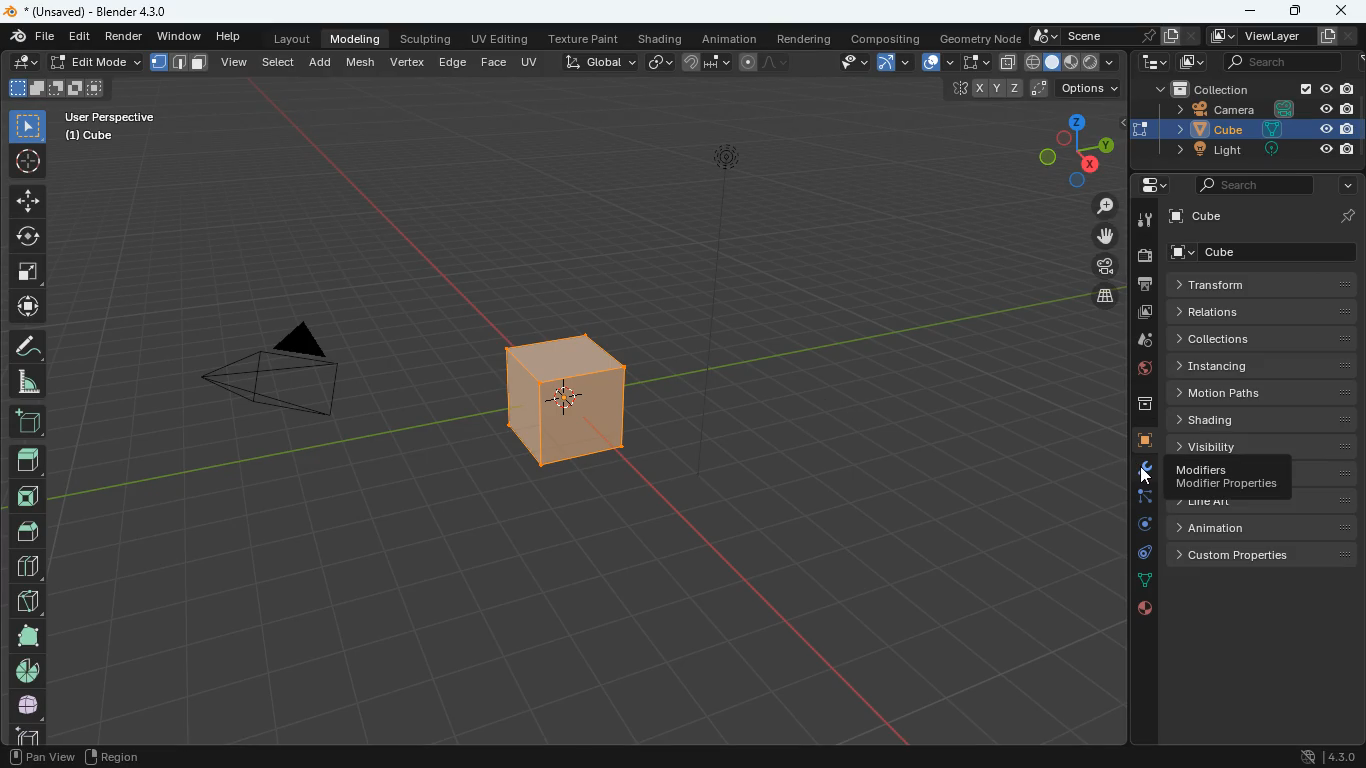 This screenshot has width=1366, height=768. Describe the element at coordinates (1098, 264) in the screenshot. I see `camera` at that location.